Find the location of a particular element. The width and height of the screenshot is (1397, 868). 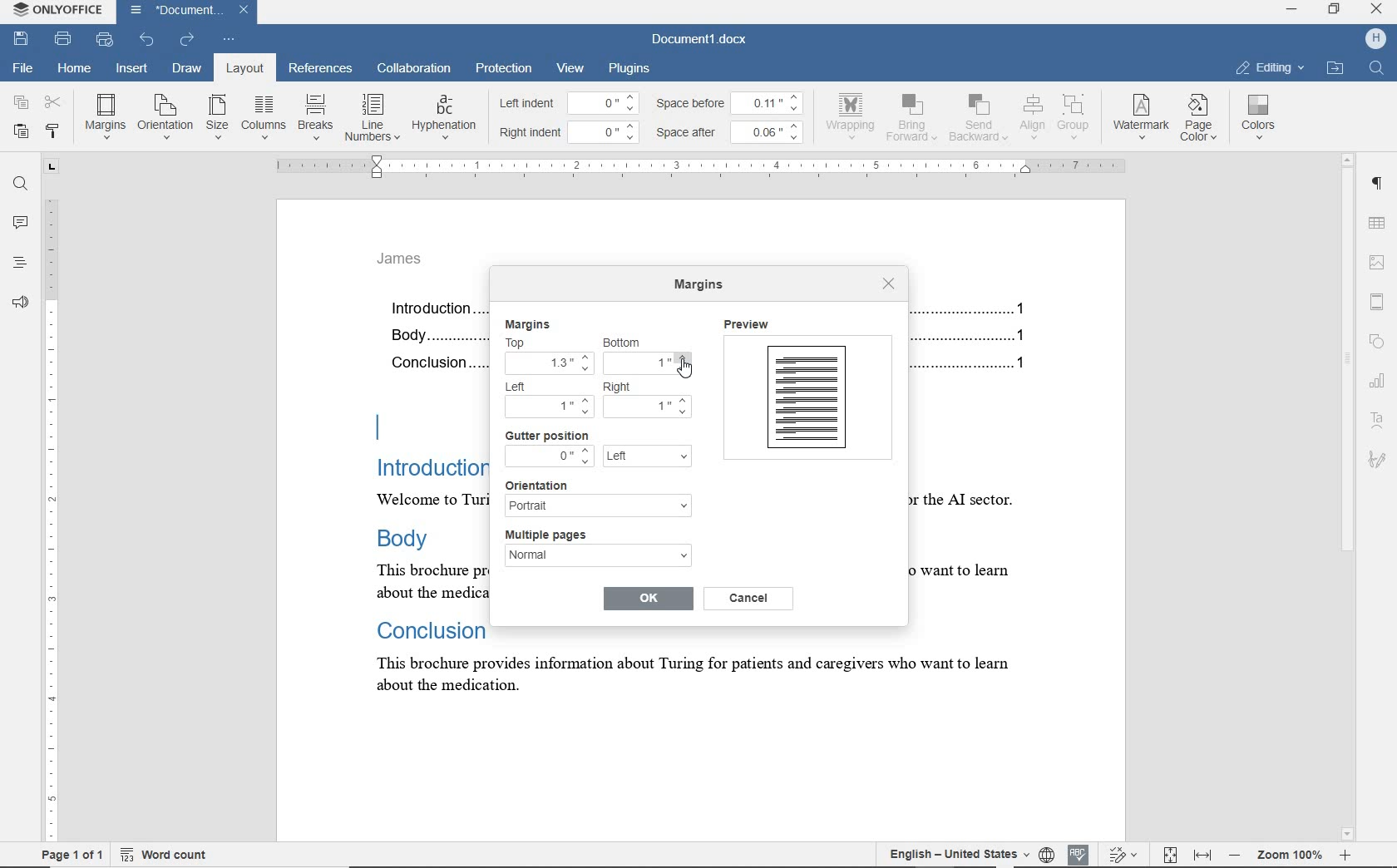

hyphenation is located at coordinates (444, 118).